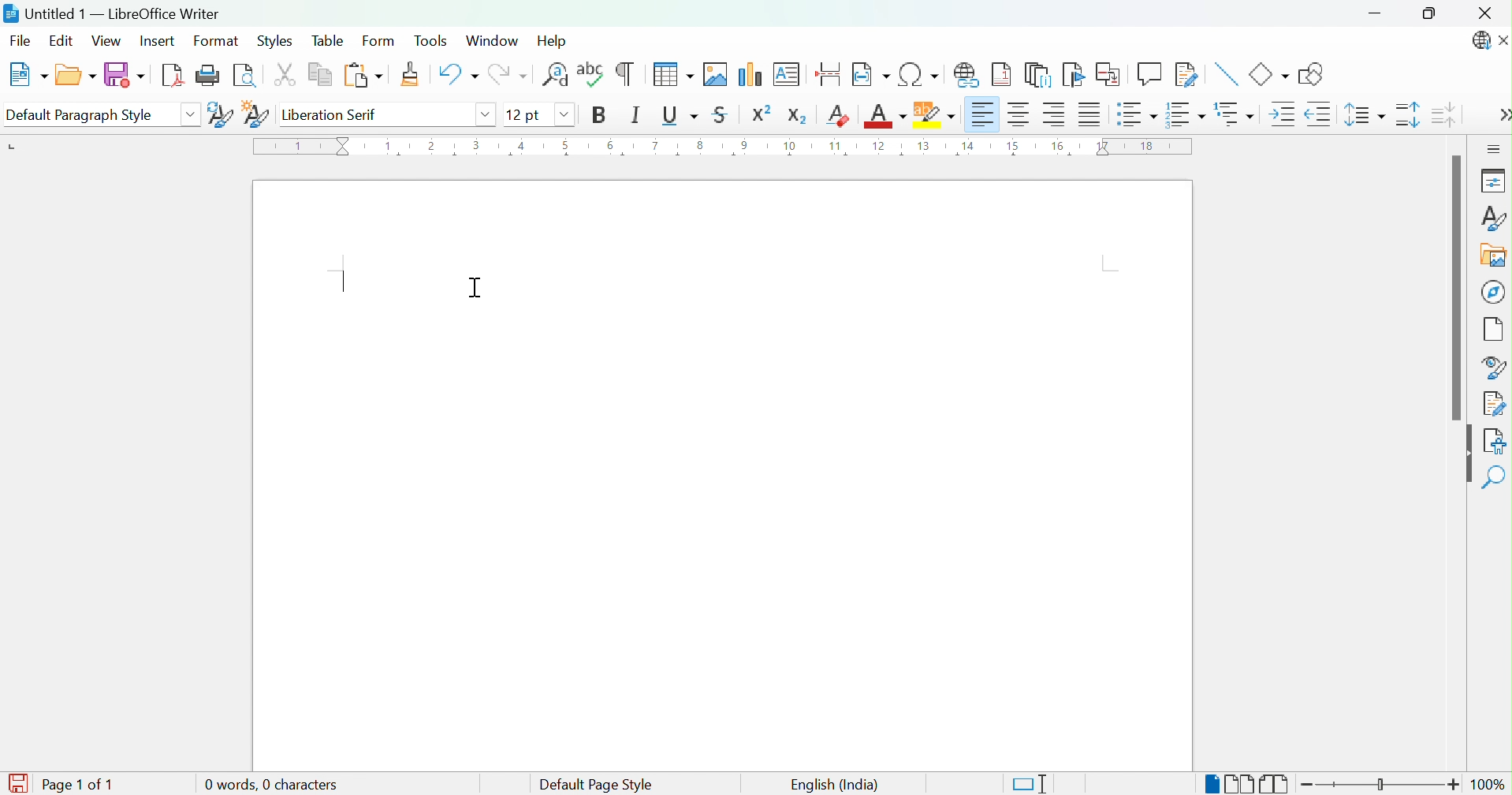 Image resolution: width=1512 pixels, height=795 pixels. I want to click on Single-page view, so click(1211, 786).